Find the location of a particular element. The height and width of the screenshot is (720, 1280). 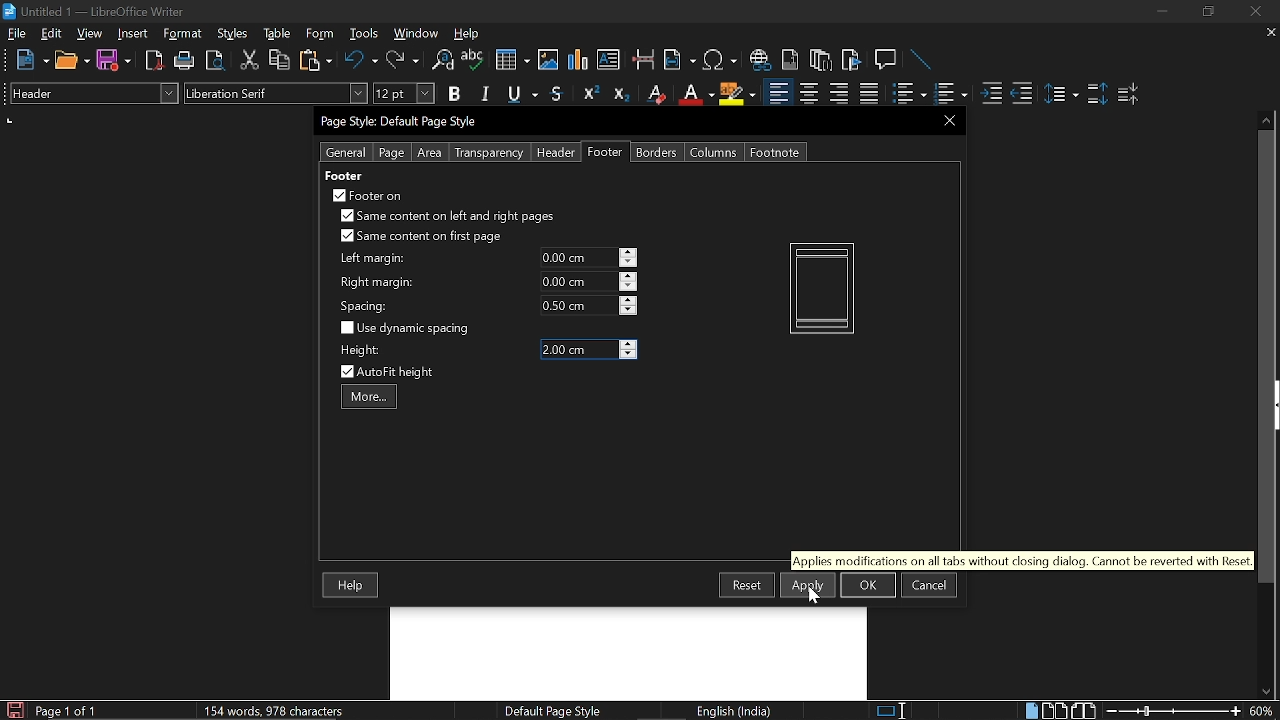

export as PDF is located at coordinates (155, 62).